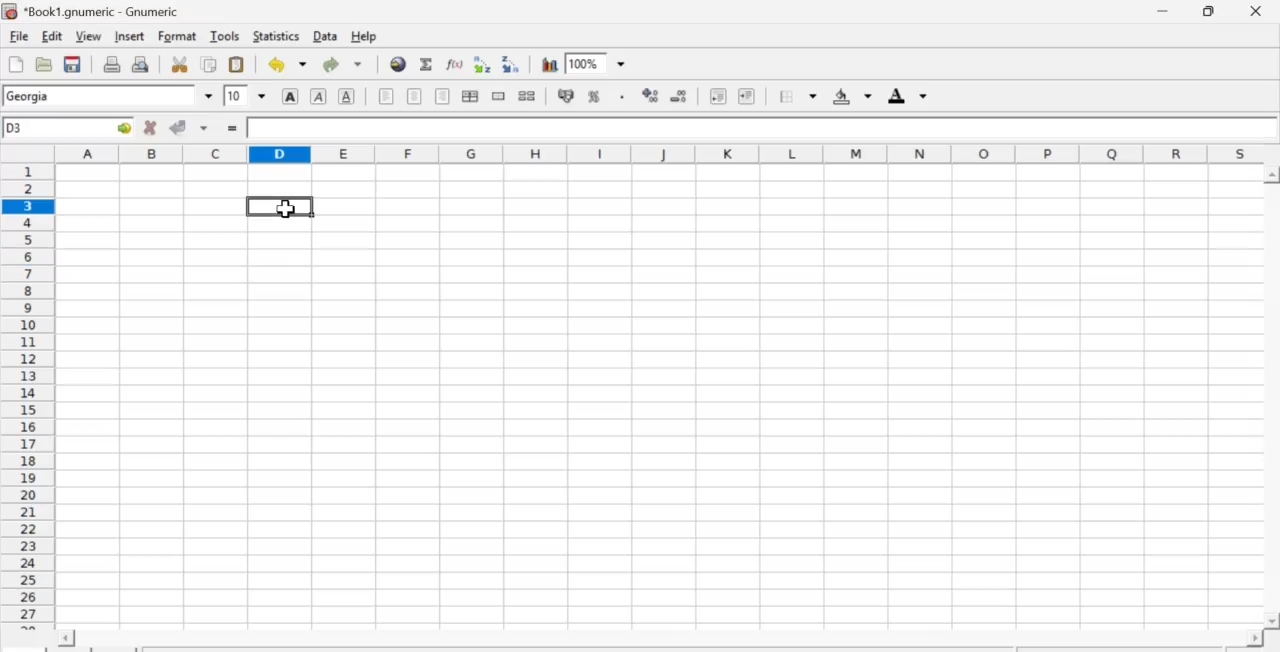 Image resolution: width=1280 pixels, height=652 pixels. Describe the element at coordinates (751, 96) in the screenshot. I see `Increase indent` at that location.